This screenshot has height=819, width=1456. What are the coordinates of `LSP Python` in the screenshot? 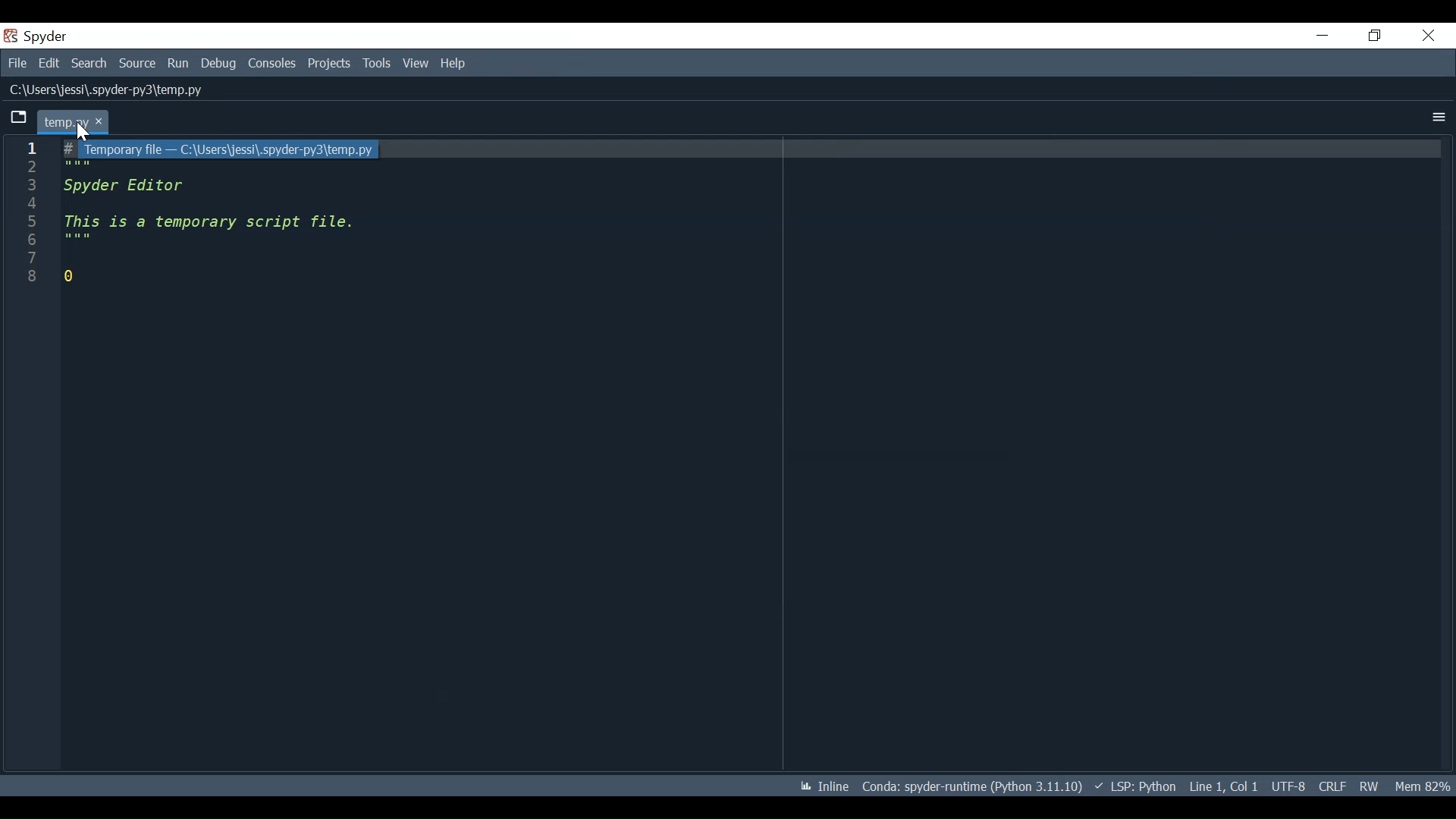 It's located at (1135, 787).